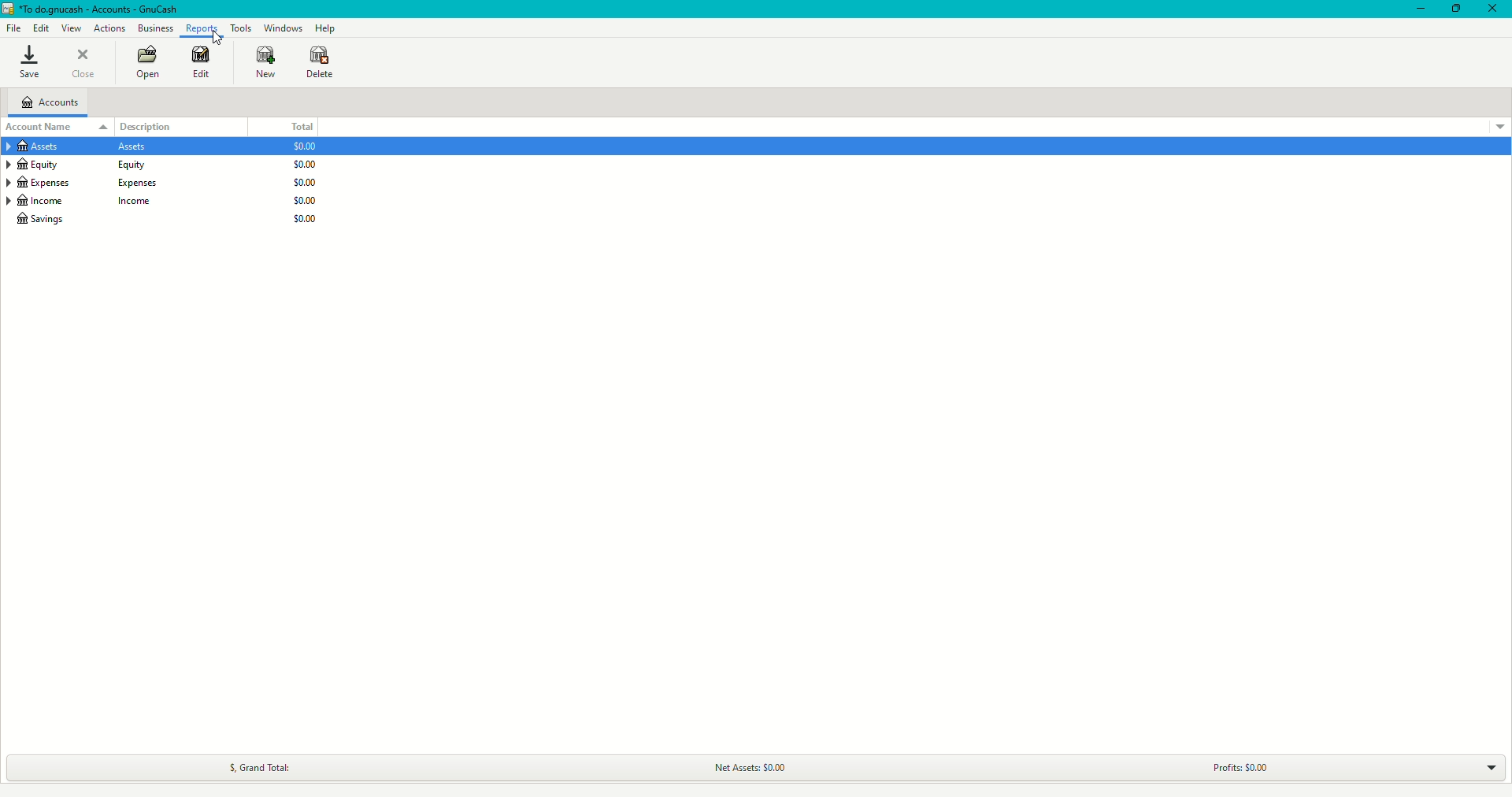 The width and height of the screenshot is (1512, 797). What do you see at coordinates (243, 30) in the screenshot?
I see `Tools` at bounding box center [243, 30].